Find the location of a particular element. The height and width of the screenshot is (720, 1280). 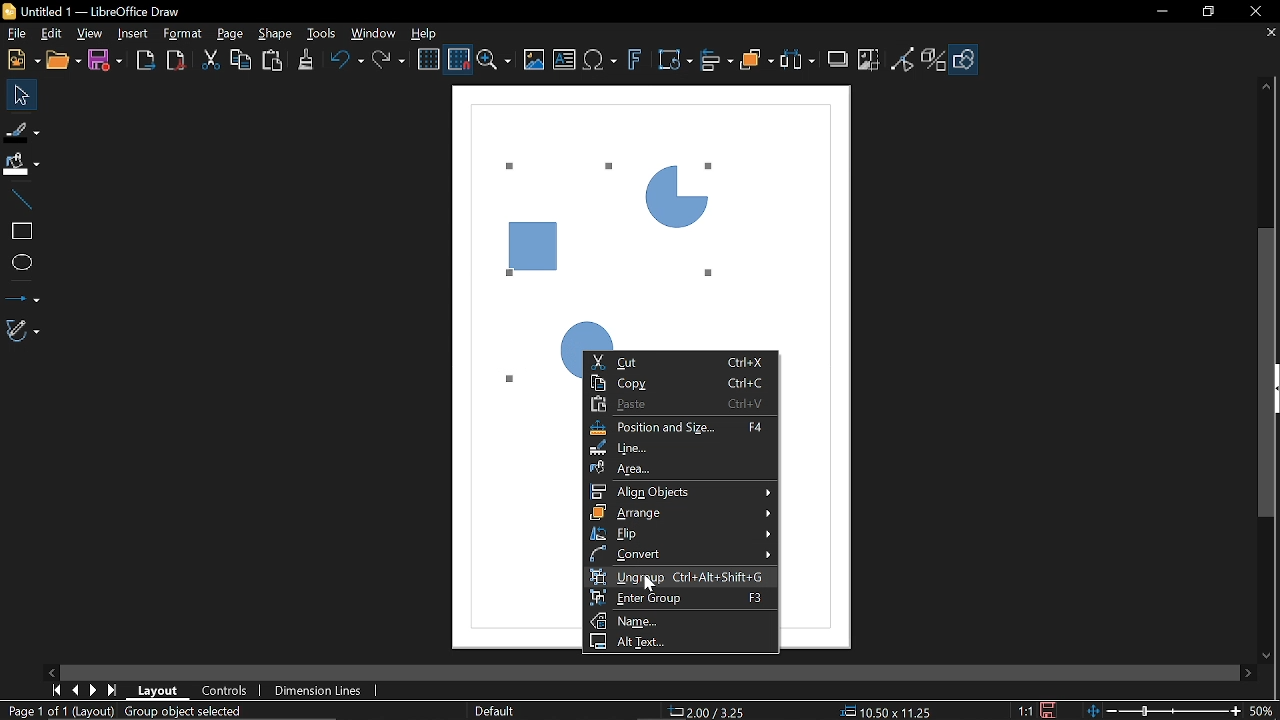

Help is located at coordinates (426, 34).